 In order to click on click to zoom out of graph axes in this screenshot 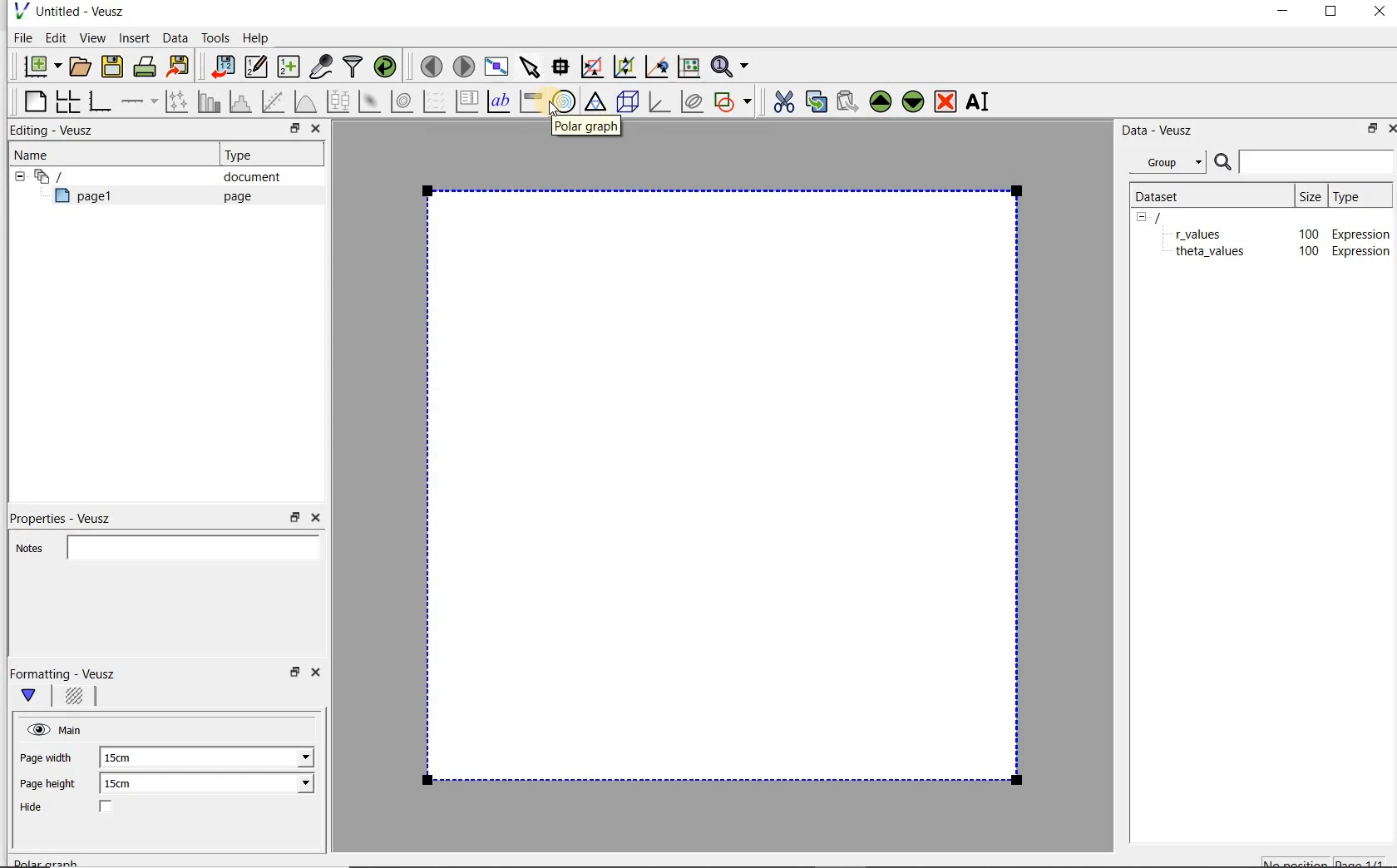, I will do `click(625, 67)`.